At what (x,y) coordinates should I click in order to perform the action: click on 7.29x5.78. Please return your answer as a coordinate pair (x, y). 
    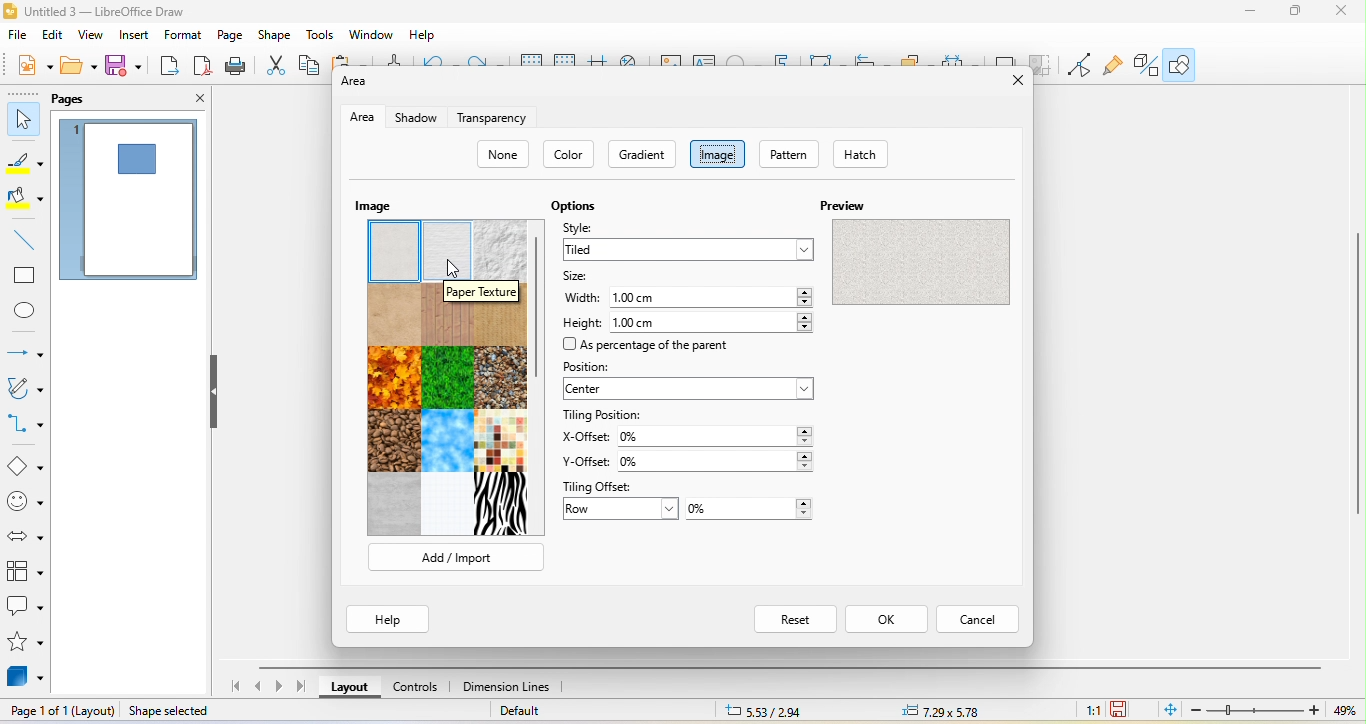
    Looking at the image, I should click on (945, 711).